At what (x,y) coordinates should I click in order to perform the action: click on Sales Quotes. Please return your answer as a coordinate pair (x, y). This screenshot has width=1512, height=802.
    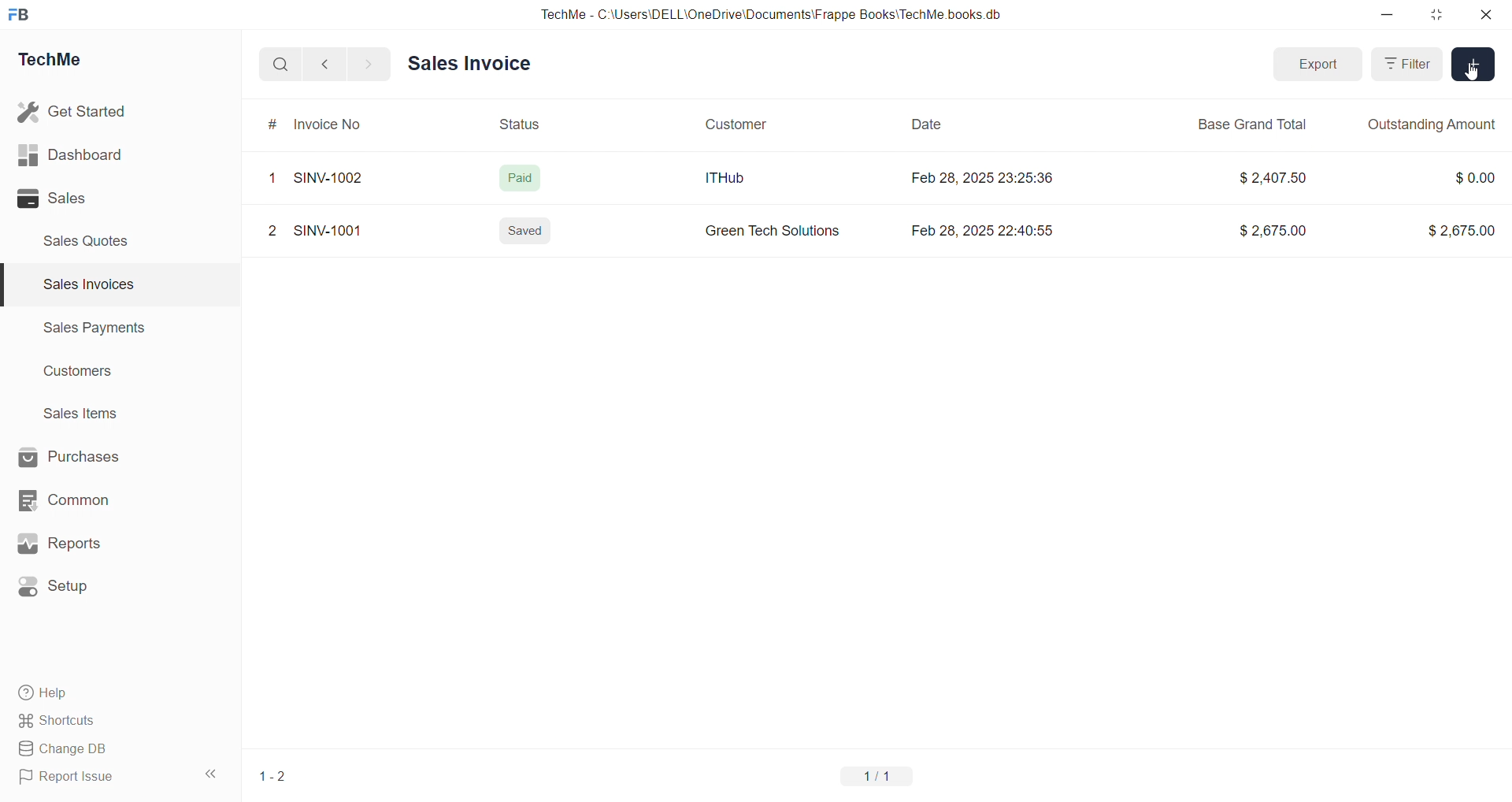
    Looking at the image, I should click on (92, 240).